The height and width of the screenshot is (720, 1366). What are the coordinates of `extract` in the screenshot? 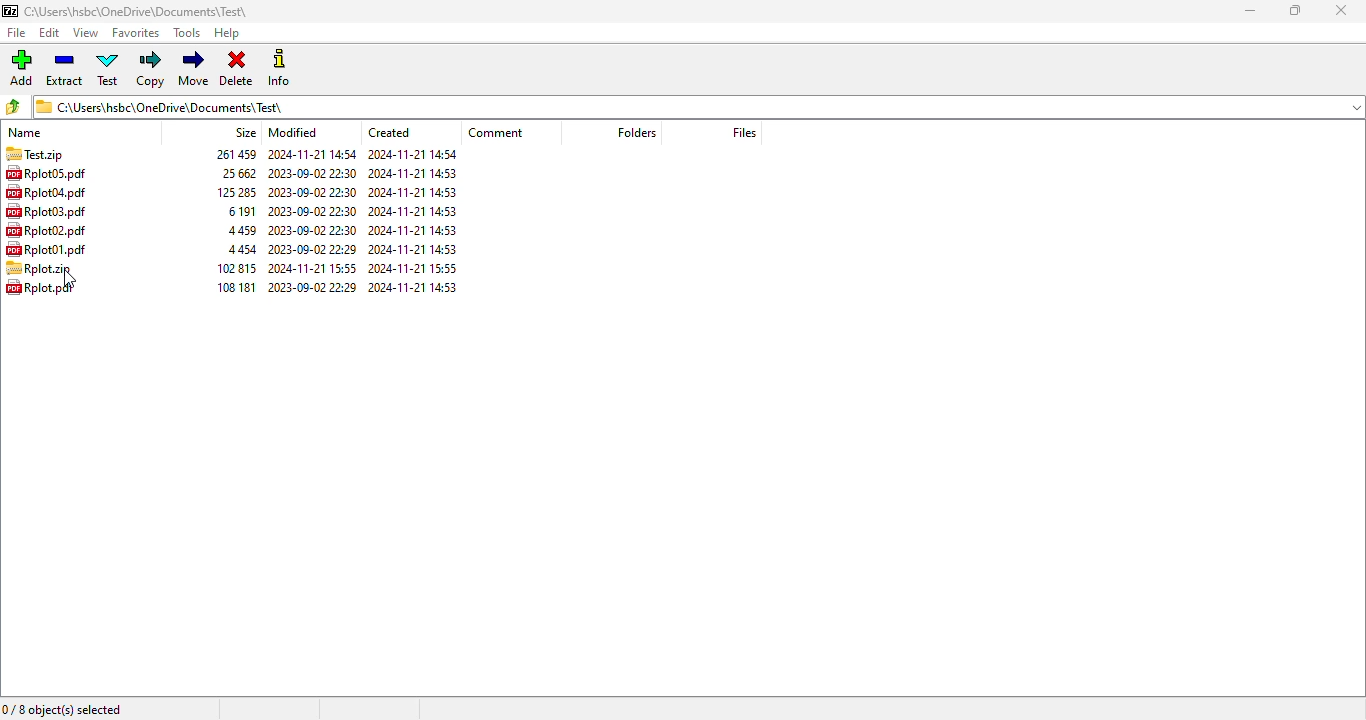 It's located at (64, 67).